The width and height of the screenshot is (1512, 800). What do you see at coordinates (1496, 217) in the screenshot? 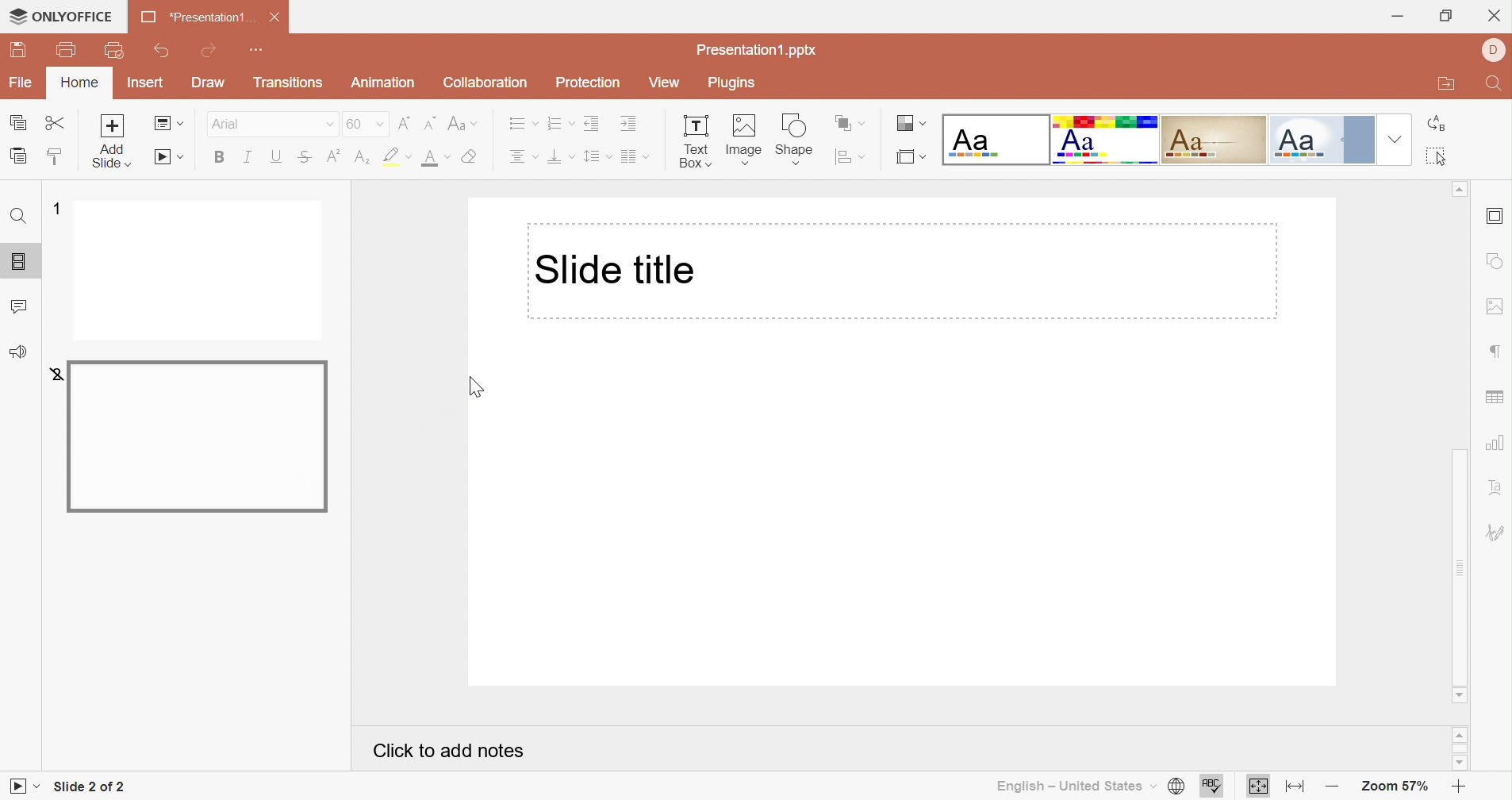
I see `Header and footer settings` at bounding box center [1496, 217].